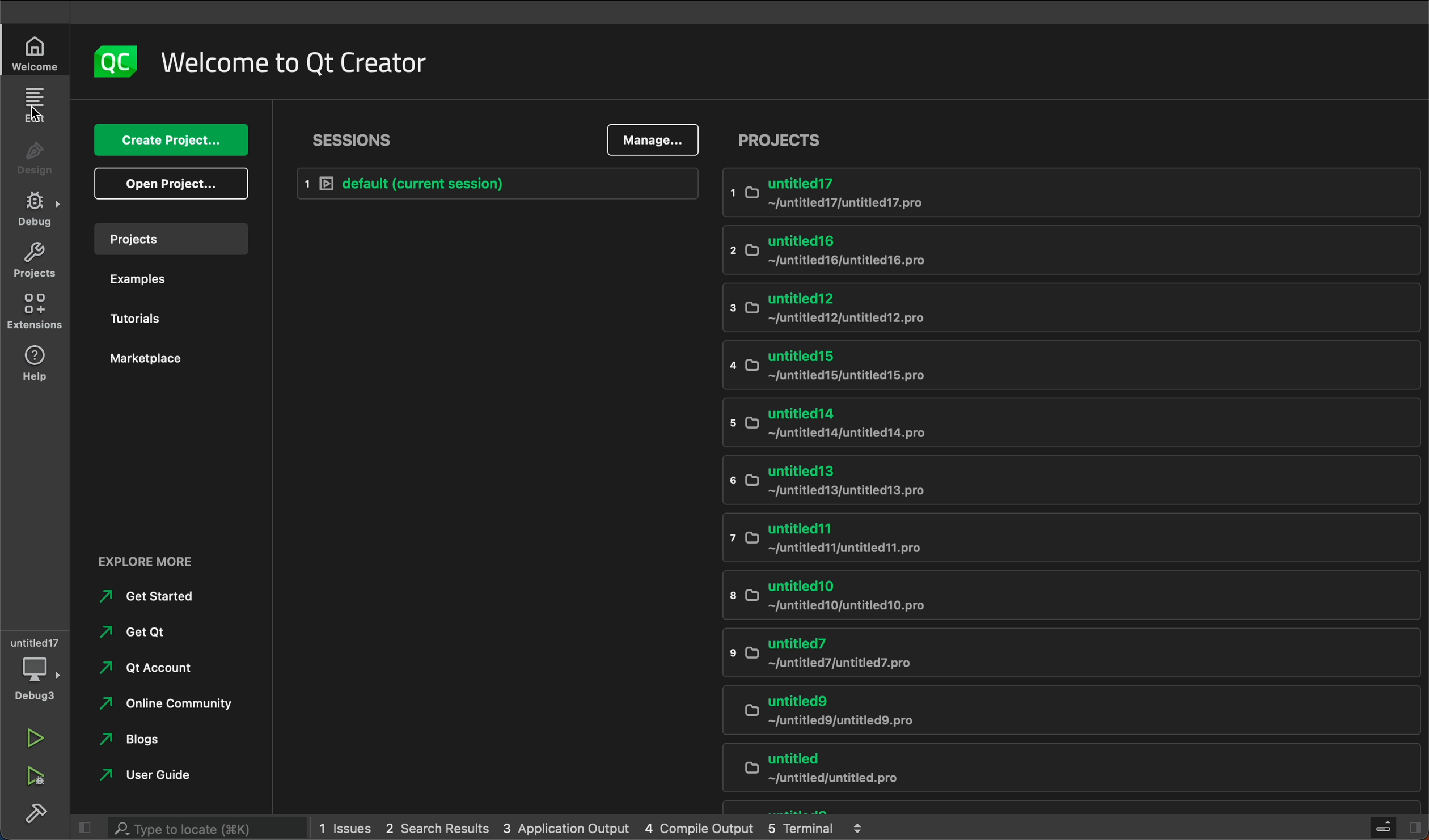 This screenshot has width=1429, height=840. What do you see at coordinates (40, 156) in the screenshot?
I see `design` at bounding box center [40, 156].